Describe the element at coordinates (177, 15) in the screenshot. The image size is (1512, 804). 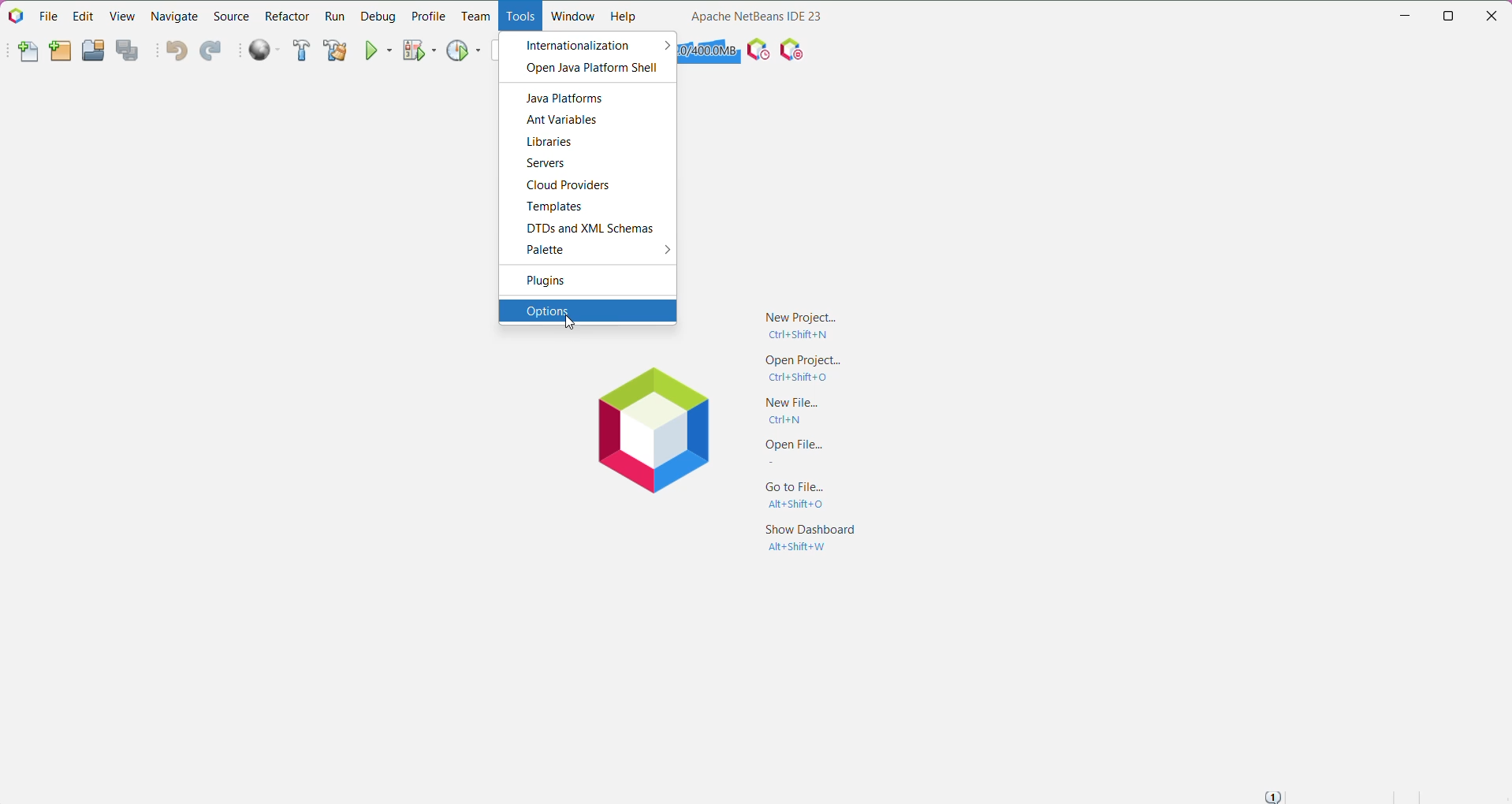
I see `Navigate` at that location.